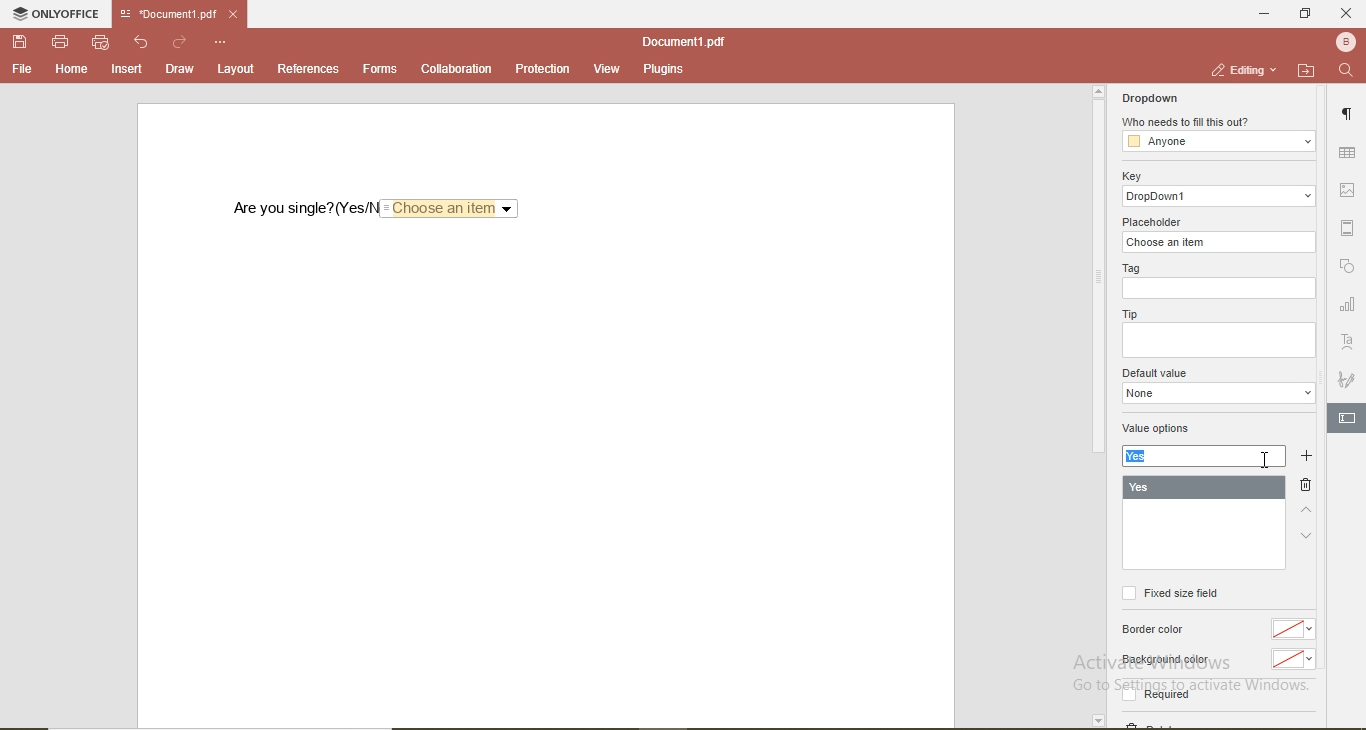 Image resolution: width=1366 pixels, height=730 pixels. What do you see at coordinates (1097, 269) in the screenshot?
I see `scrollbar` at bounding box center [1097, 269].